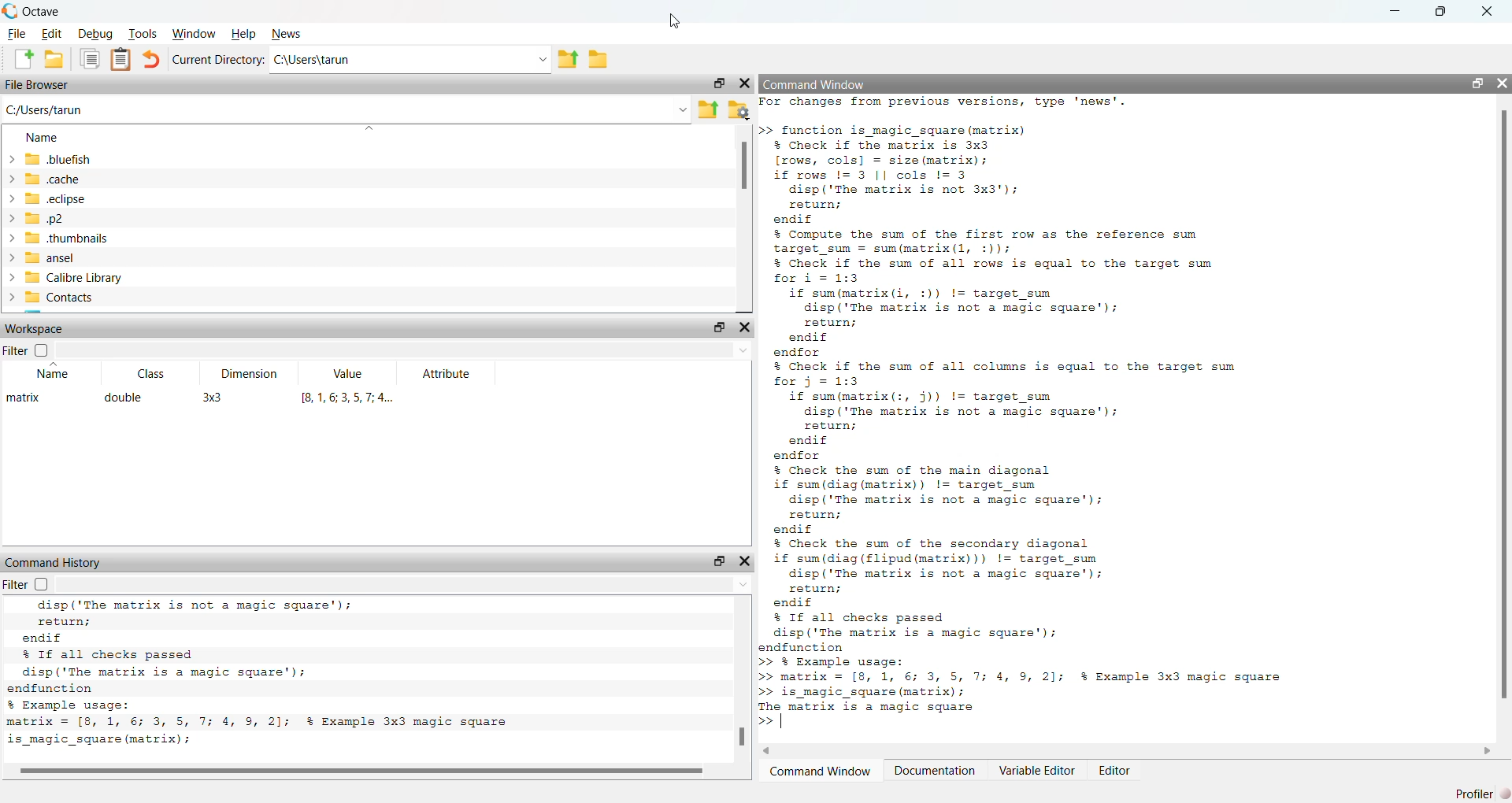 The image size is (1512, 803). Describe the element at coordinates (251, 374) in the screenshot. I see `Dimension` at that location.